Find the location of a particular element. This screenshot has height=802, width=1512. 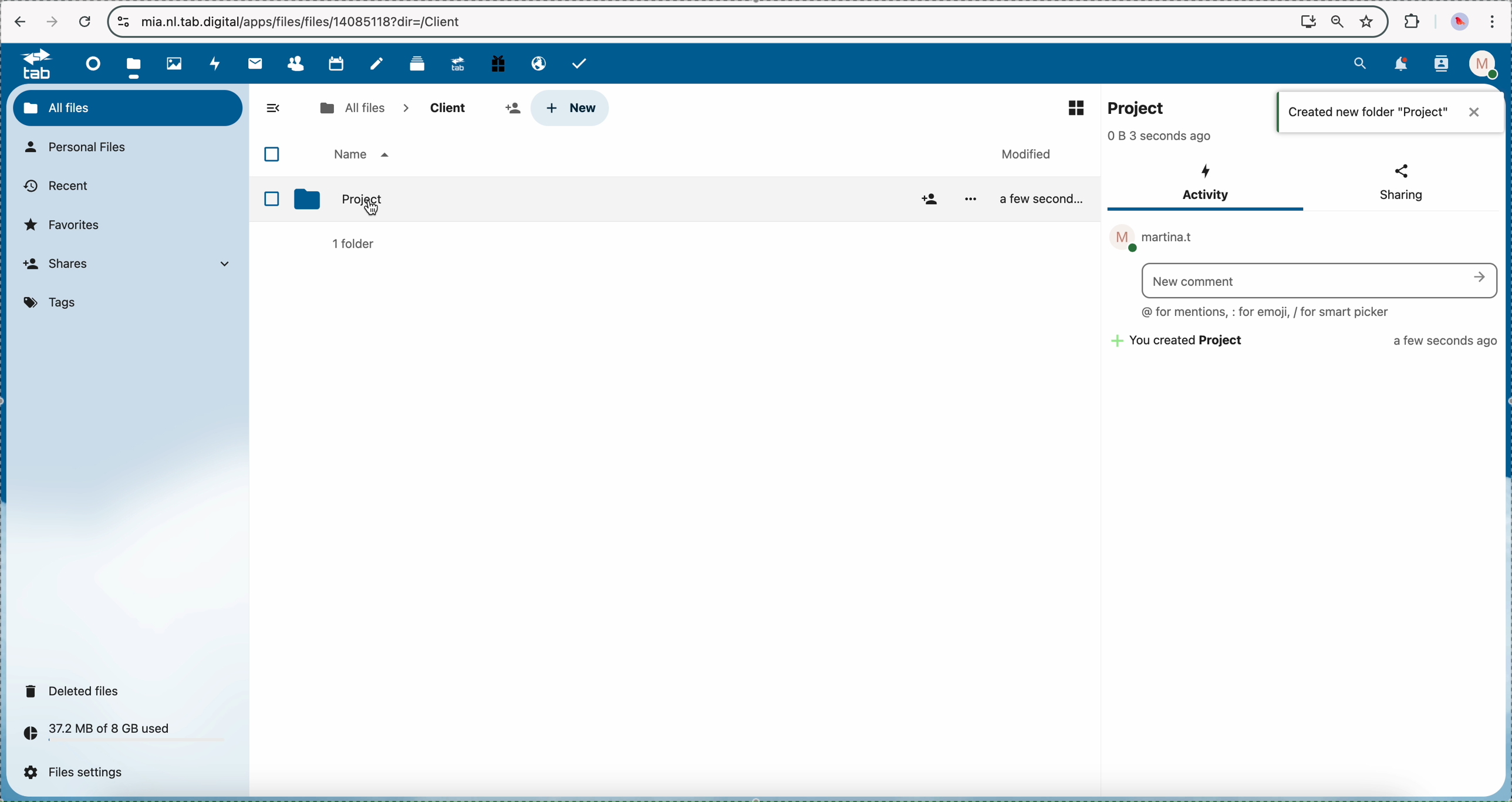

Add friend is located at coordinates (932, 199).